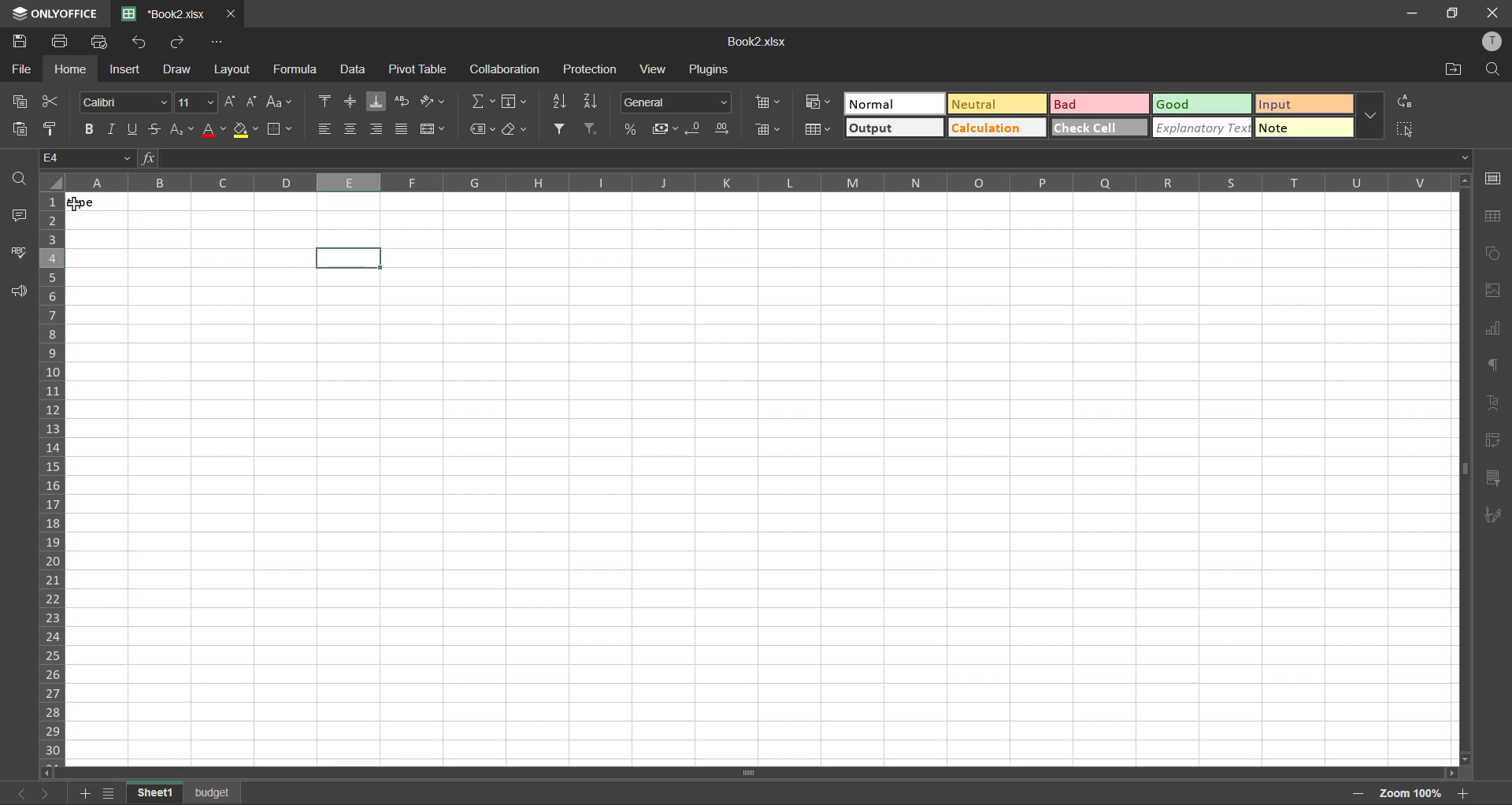 The image size is (1512, 805). Describe the element at coordinates (1202, 103) in the screenshot. I see `good` at that location.